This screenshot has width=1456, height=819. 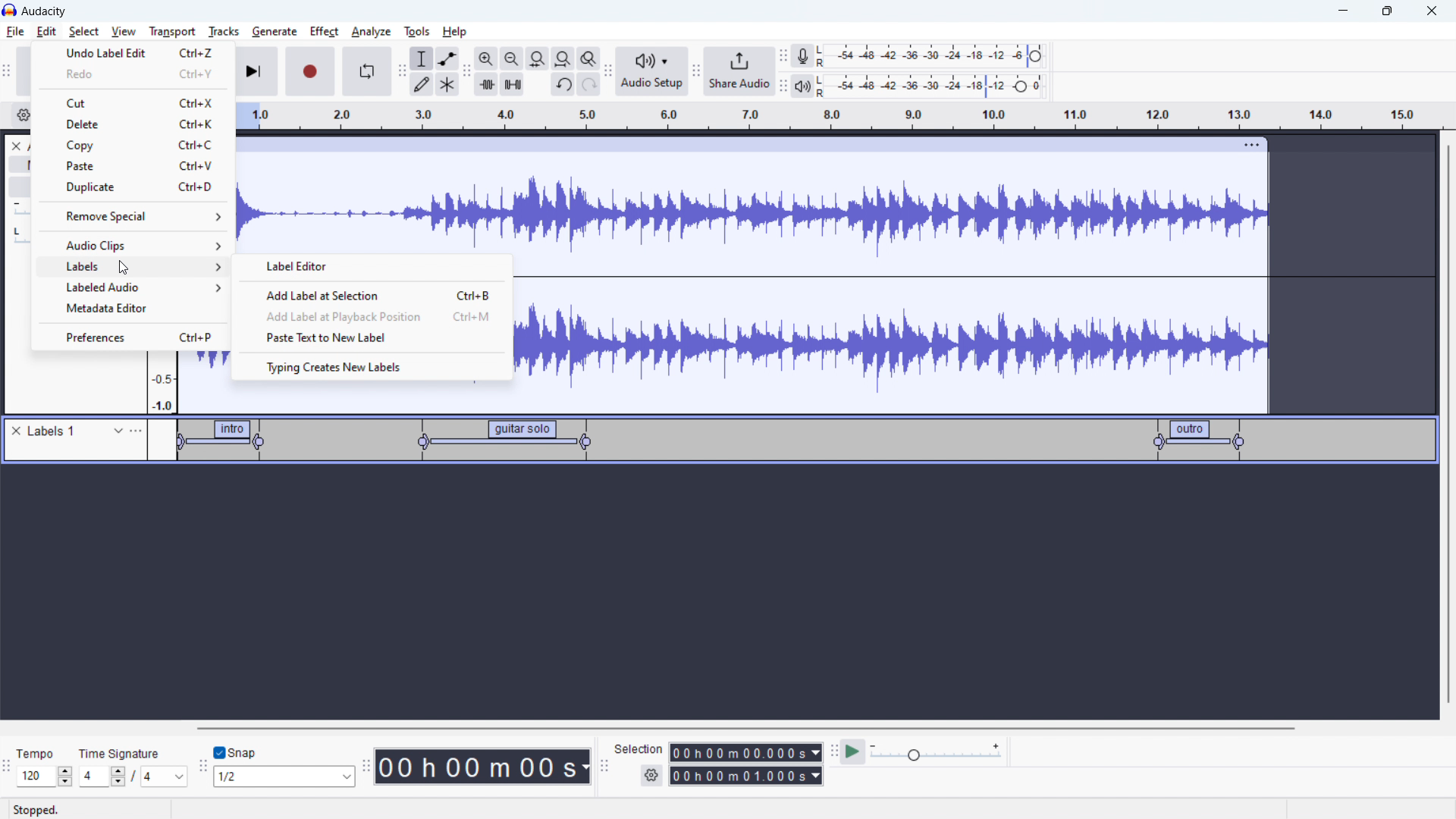 I want to click on audio clips, so click(x=133, y=245).